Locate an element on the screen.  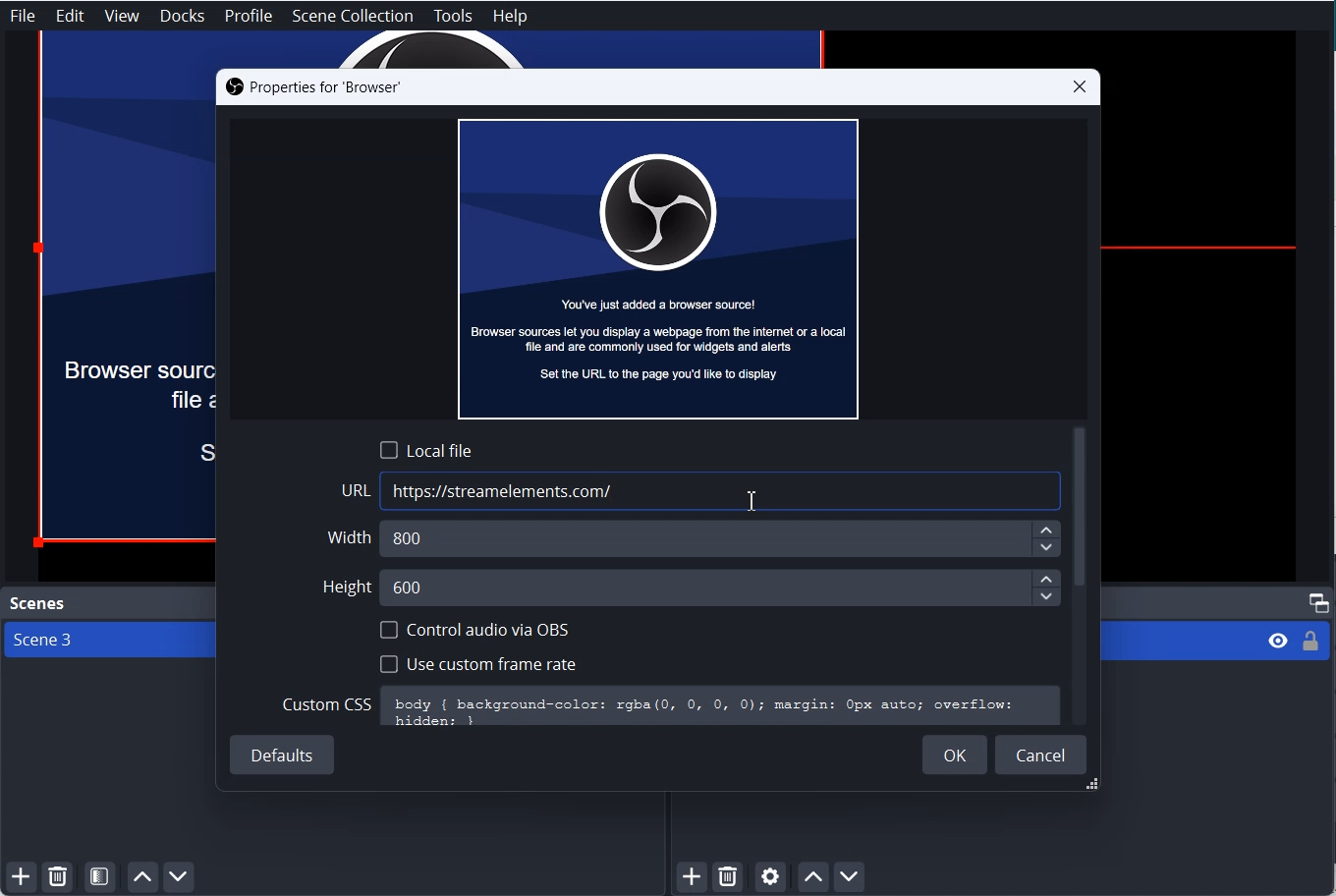
Remove selected Scene is located at coordinates (58, 877).